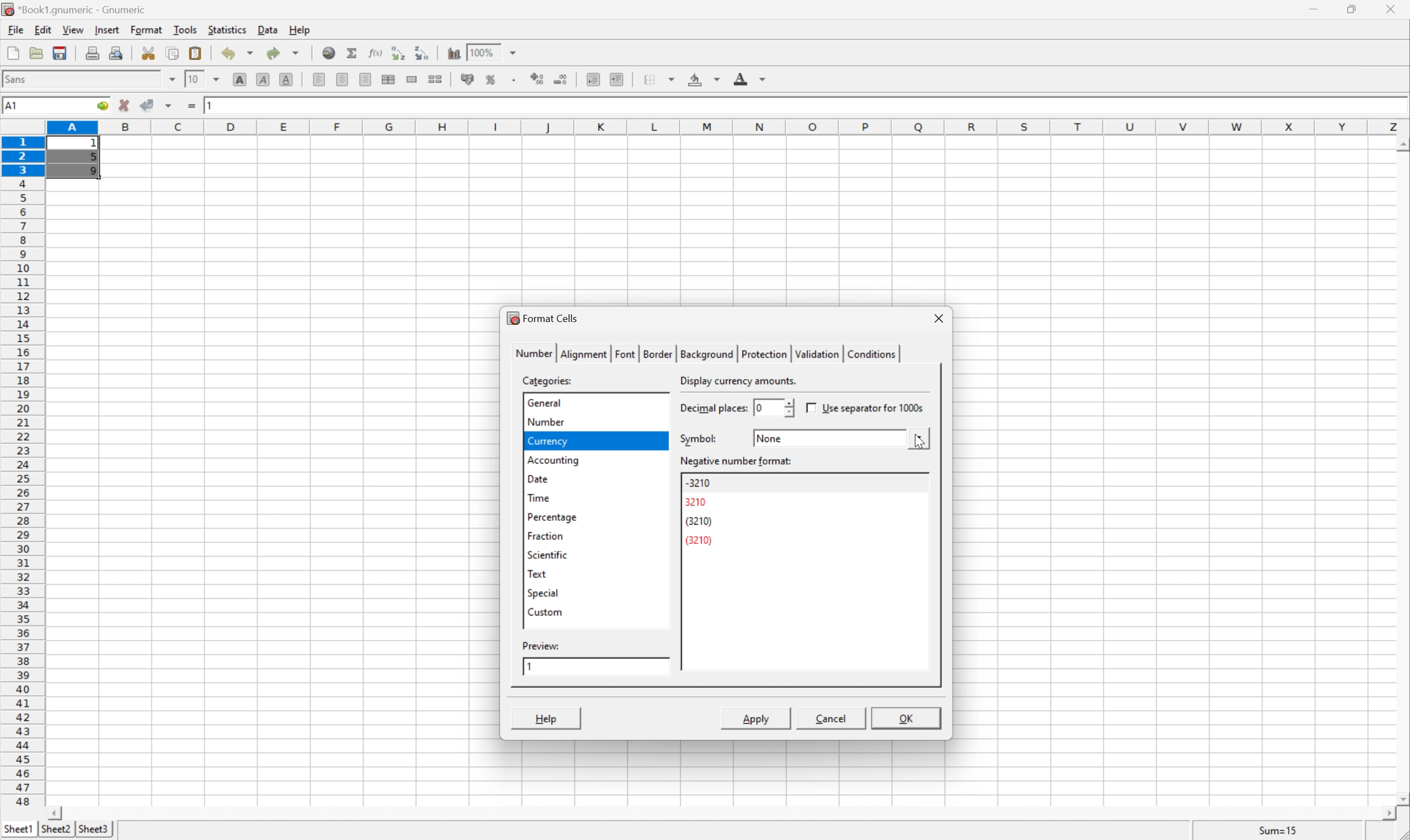 Image resolution: width=1410 pixels, height=840 pixels. What do you see at coordinates (559, 79) in the screenshot?
I see `decrease number of decimals displayed` at bounding box center [559, 79].